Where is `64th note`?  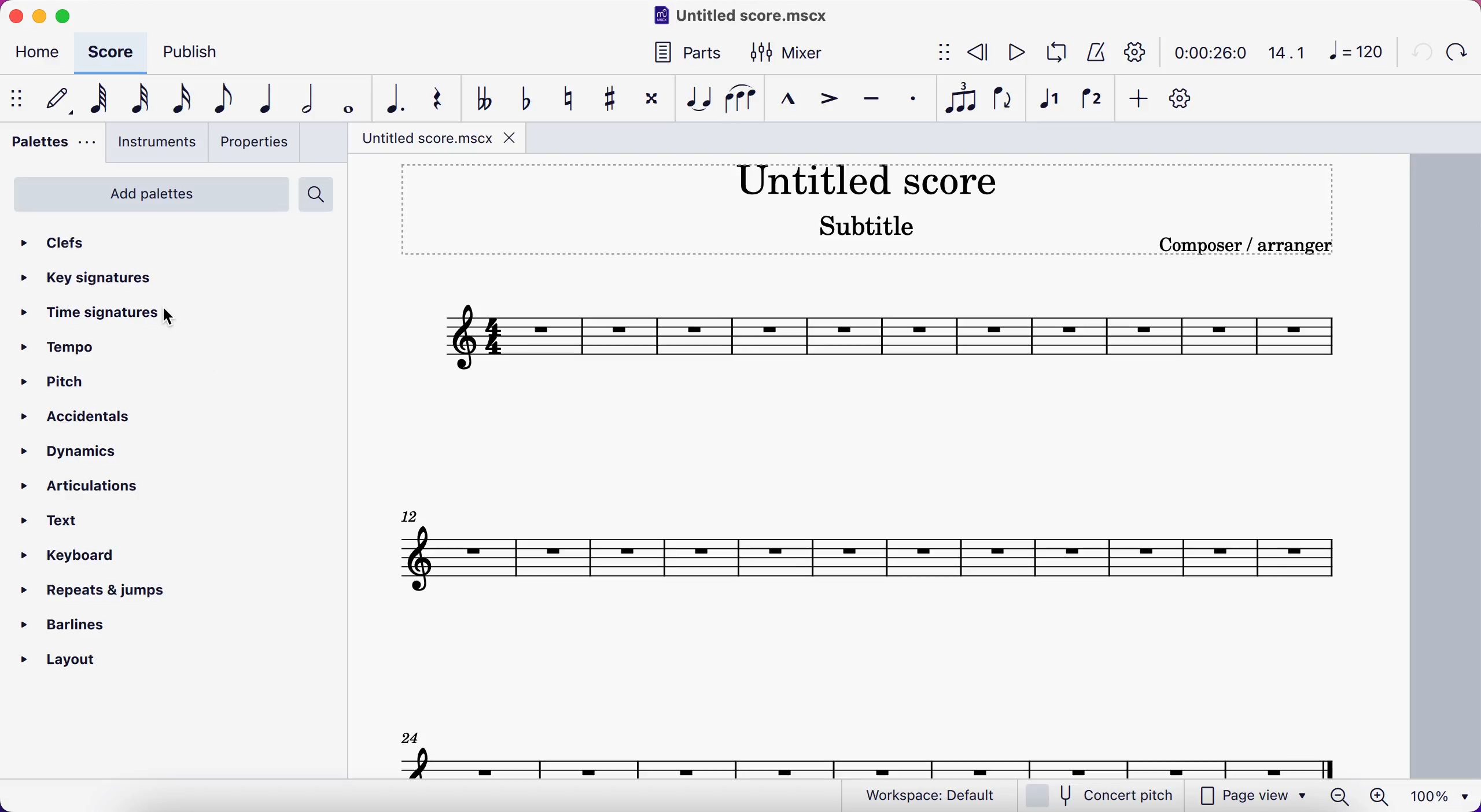 64th note is located at coordinates (96, 100).